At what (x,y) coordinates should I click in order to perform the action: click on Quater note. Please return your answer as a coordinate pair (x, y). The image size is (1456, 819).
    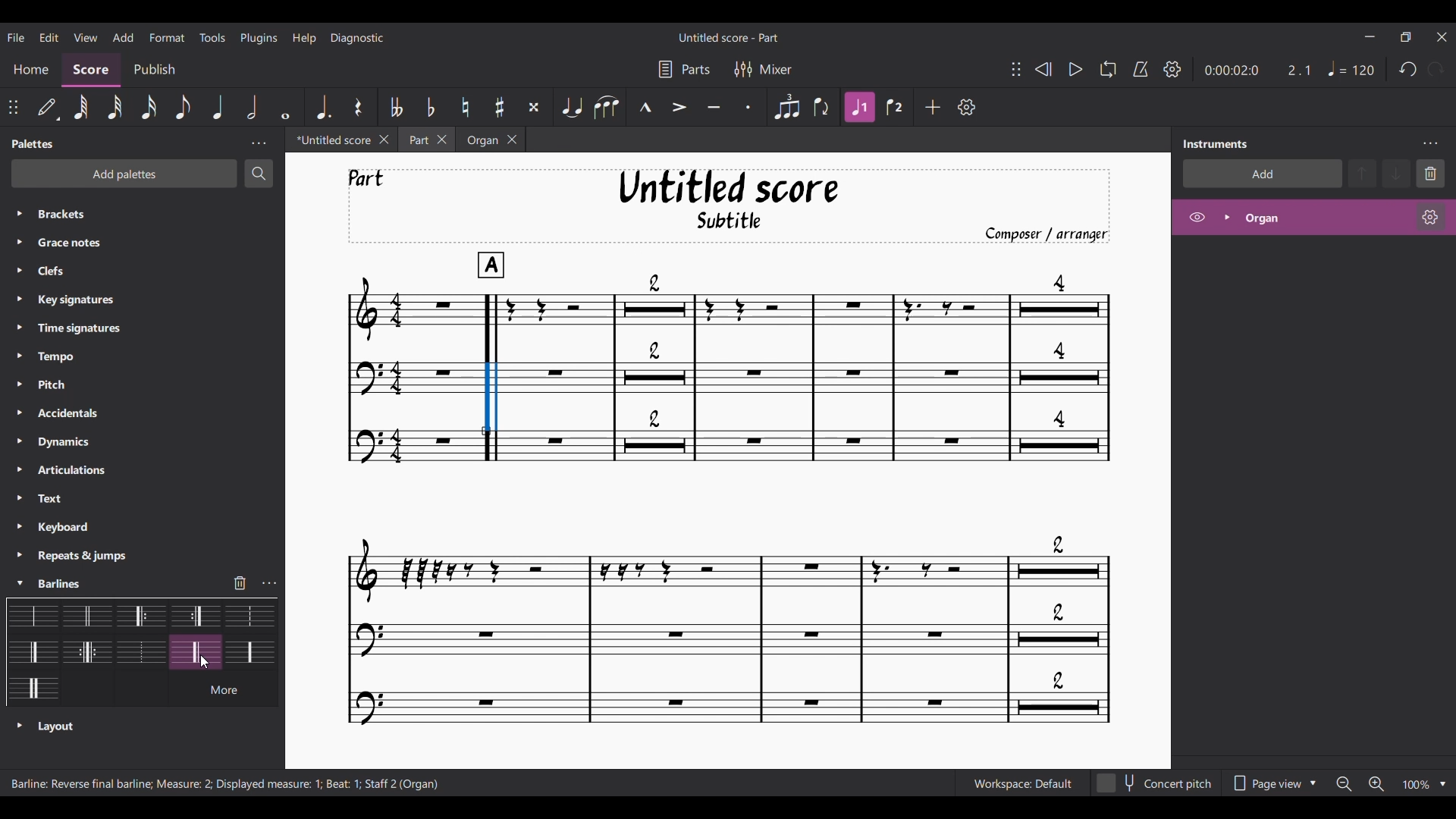
    Looking at the image, I should click on (218, 106).